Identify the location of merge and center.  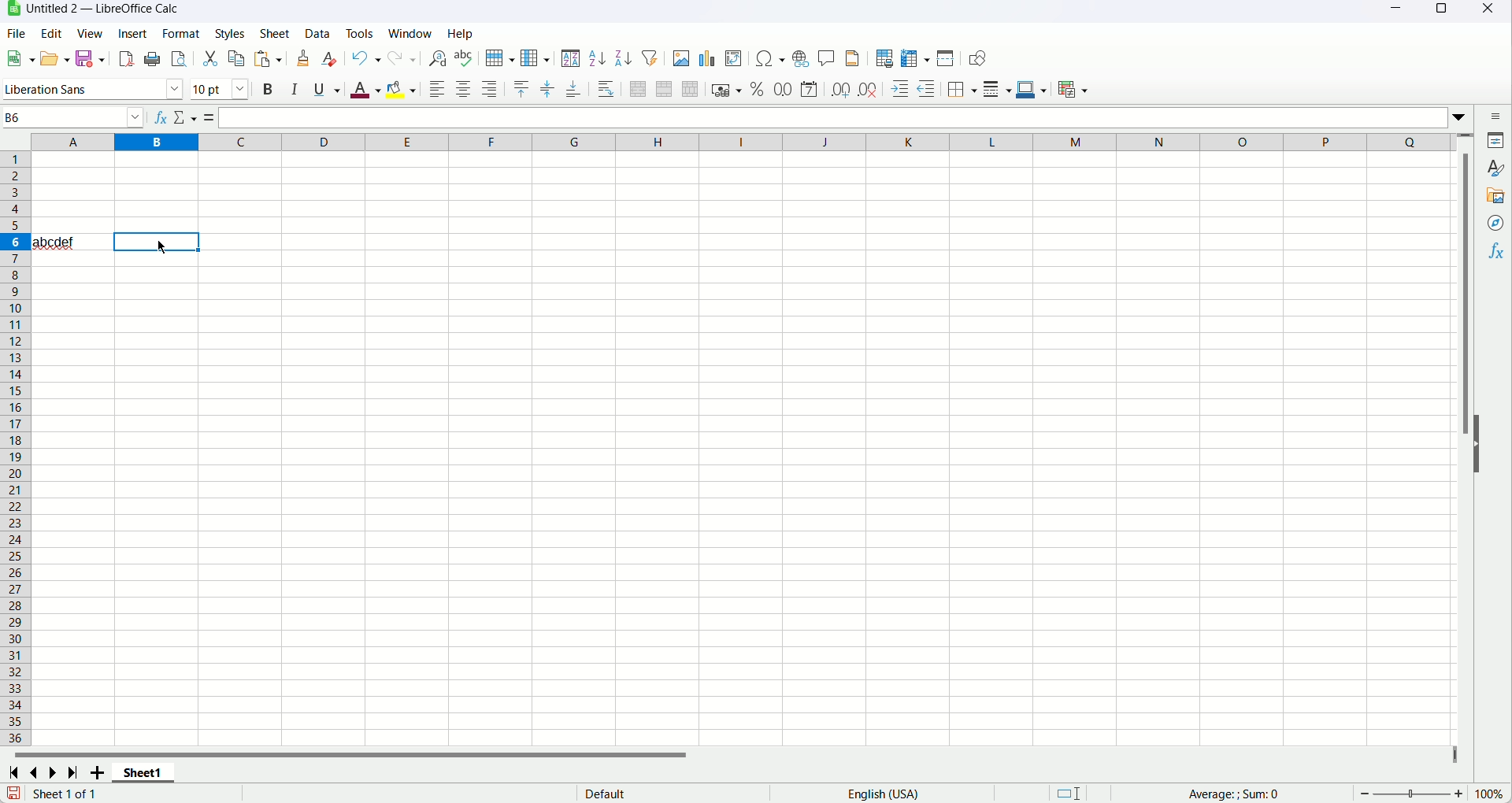
(637, 90).